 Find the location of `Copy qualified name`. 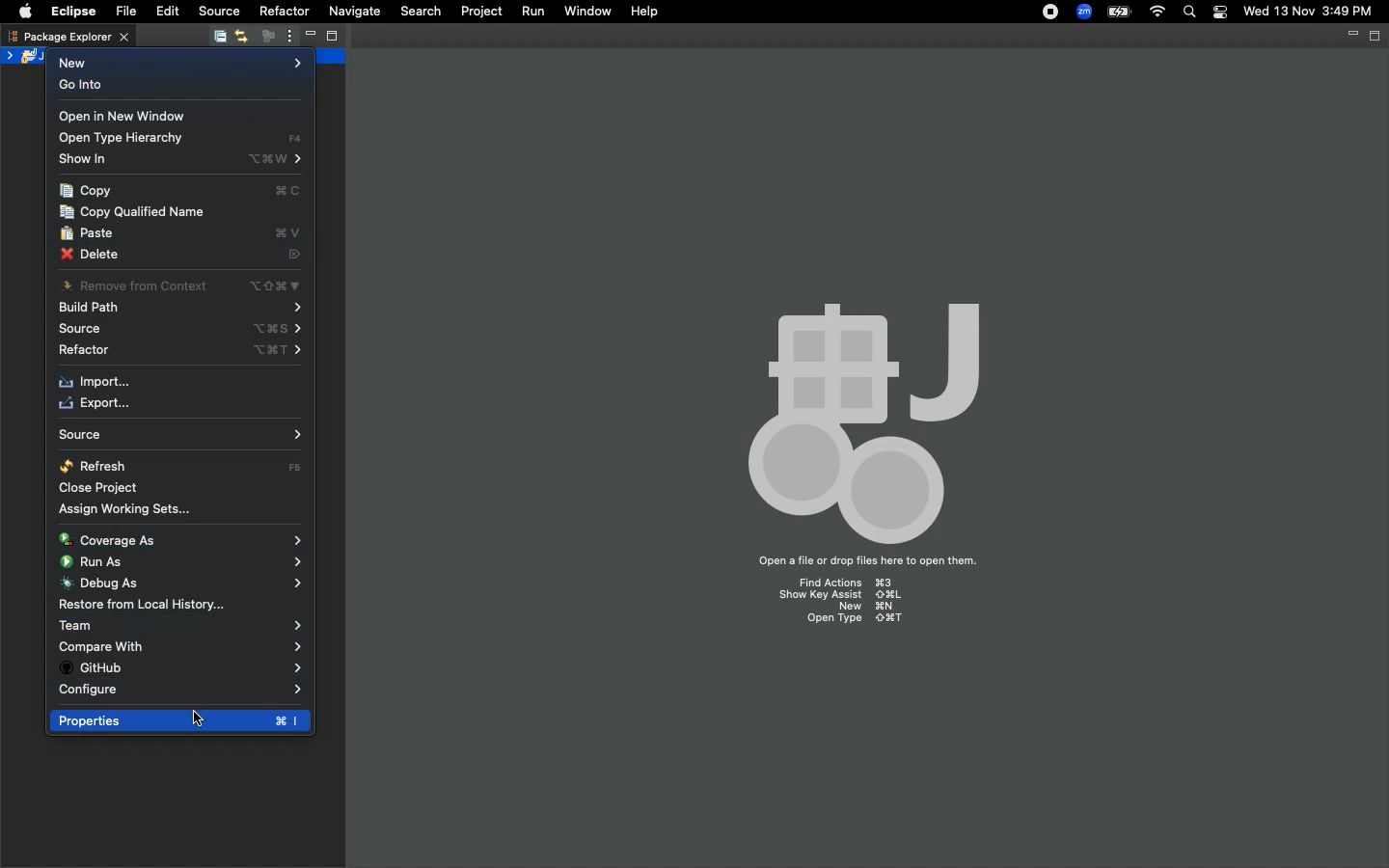

Copy qualified name is located at coordinates (132, 212).